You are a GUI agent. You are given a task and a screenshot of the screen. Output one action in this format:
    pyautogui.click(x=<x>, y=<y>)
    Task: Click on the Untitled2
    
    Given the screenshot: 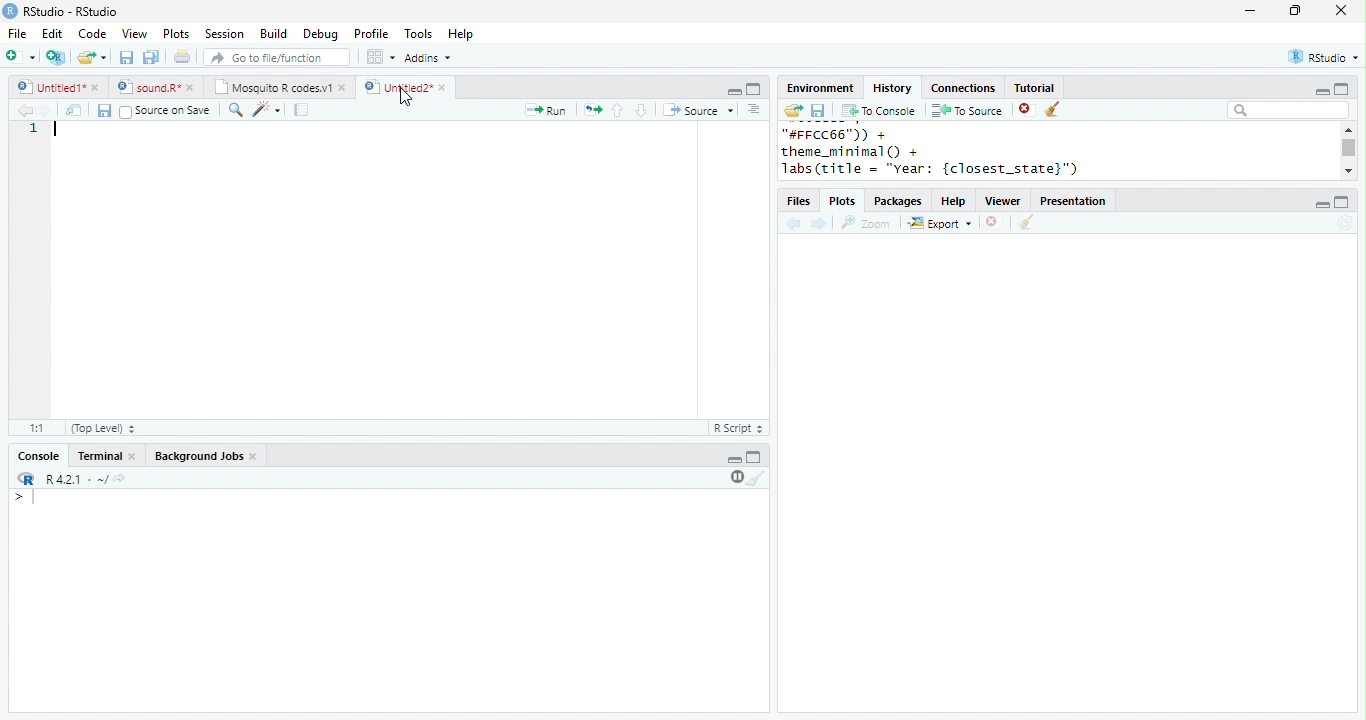 What is the action you would take?
    pyautogui.click(x=396, y=87)
    